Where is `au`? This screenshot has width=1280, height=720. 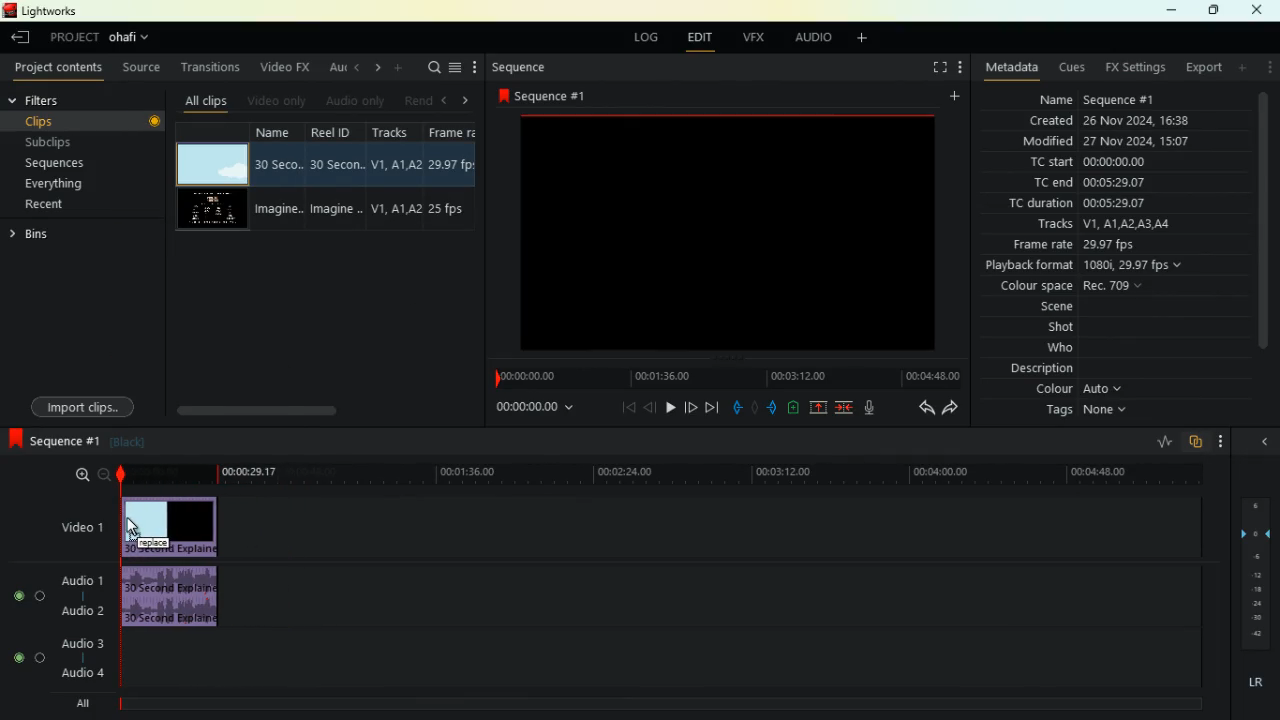 au is located at coordinates (337, 68).